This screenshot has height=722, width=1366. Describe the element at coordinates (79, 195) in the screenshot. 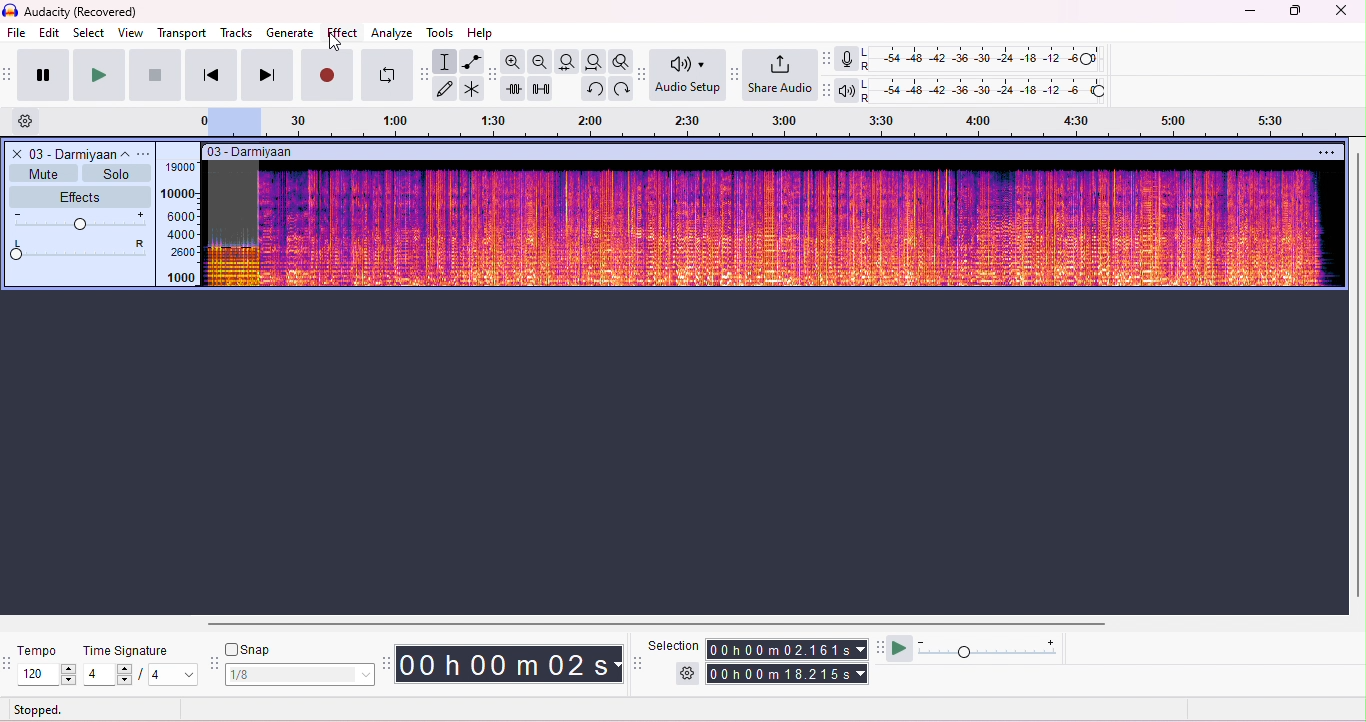

I see `effects` at that location.